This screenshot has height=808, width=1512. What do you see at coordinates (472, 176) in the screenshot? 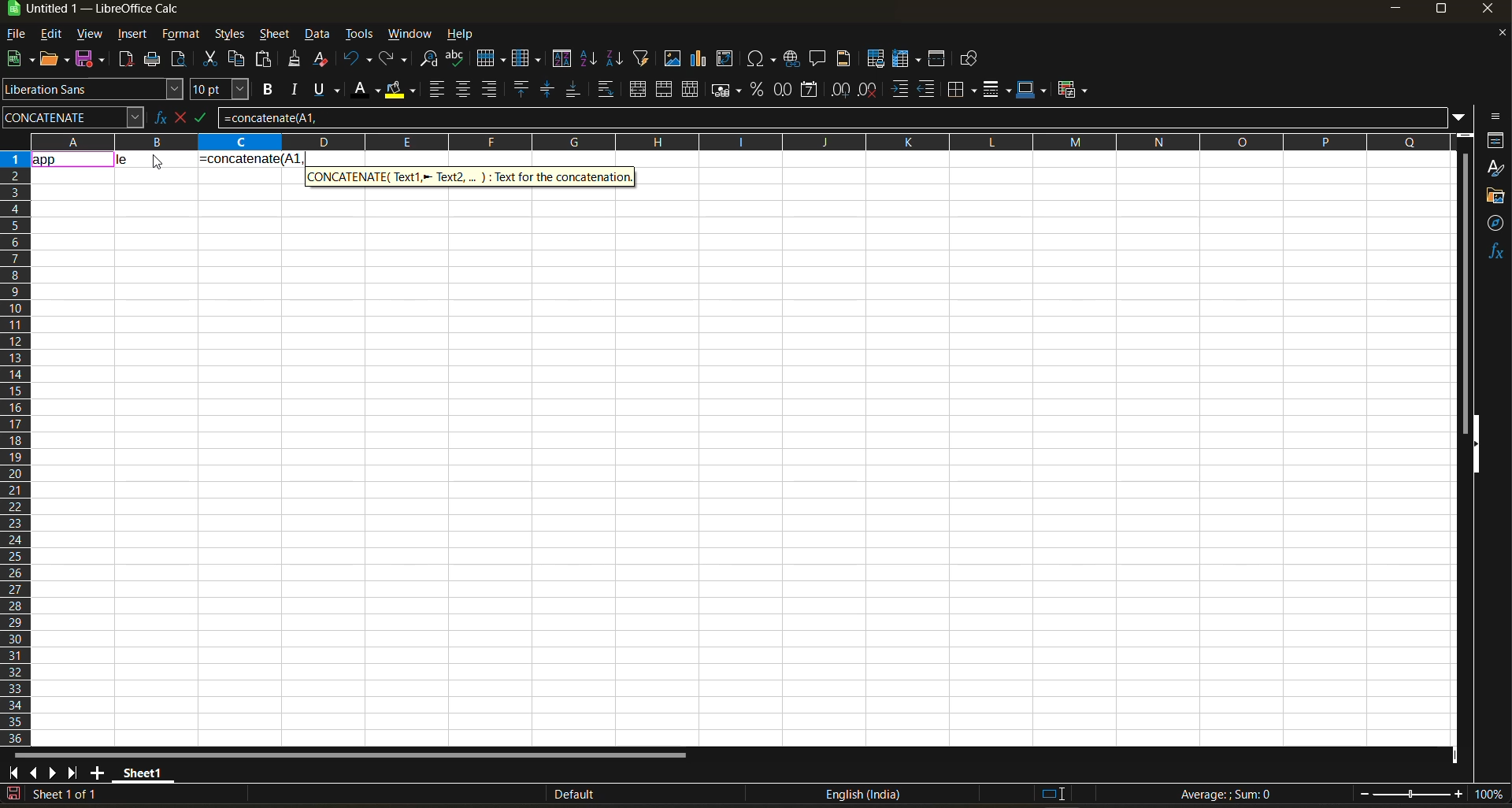
I see `tool tip` at bounding box center [472, 176].